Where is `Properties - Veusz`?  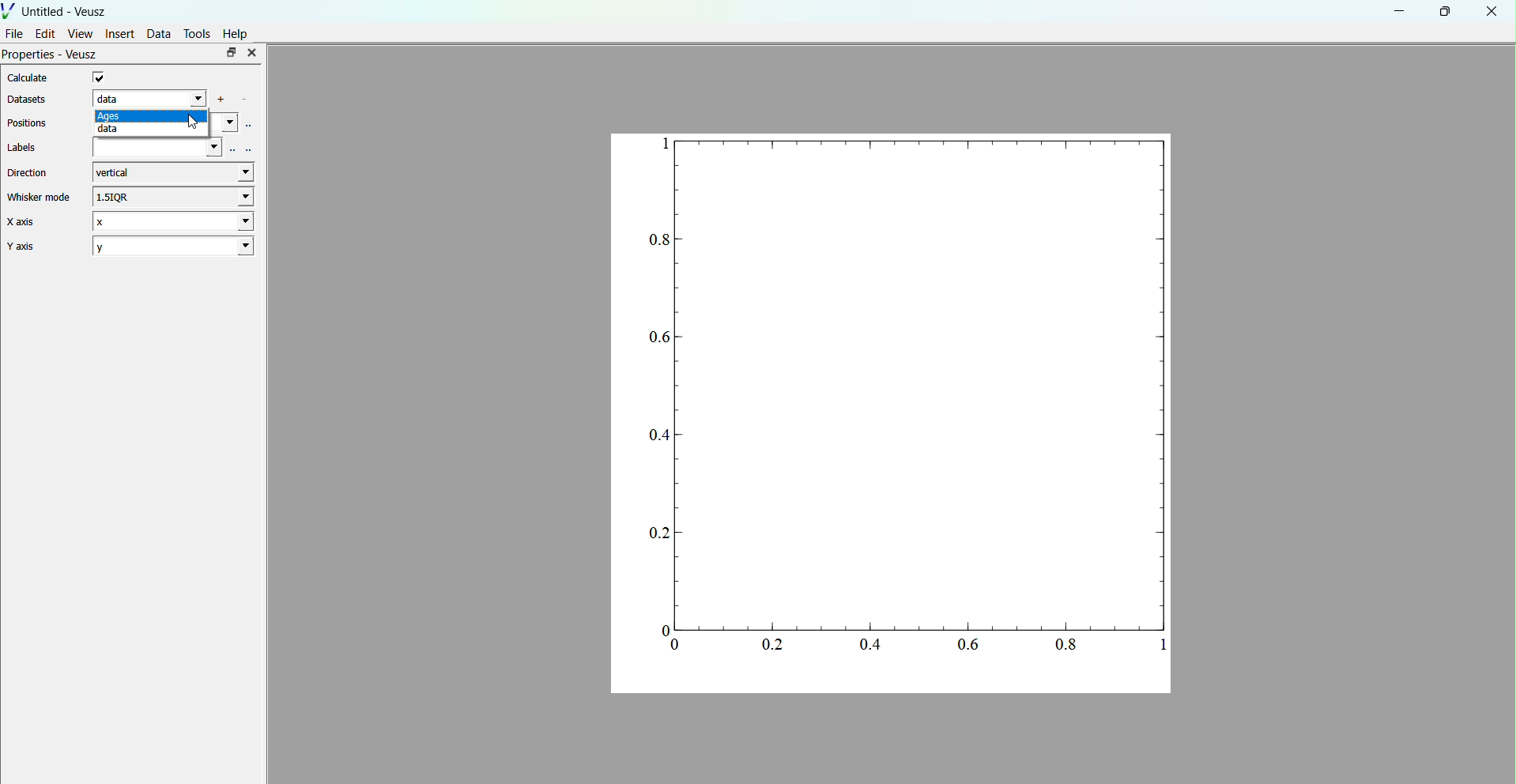
Properties - Veusz is located at coordinates (52, 56).